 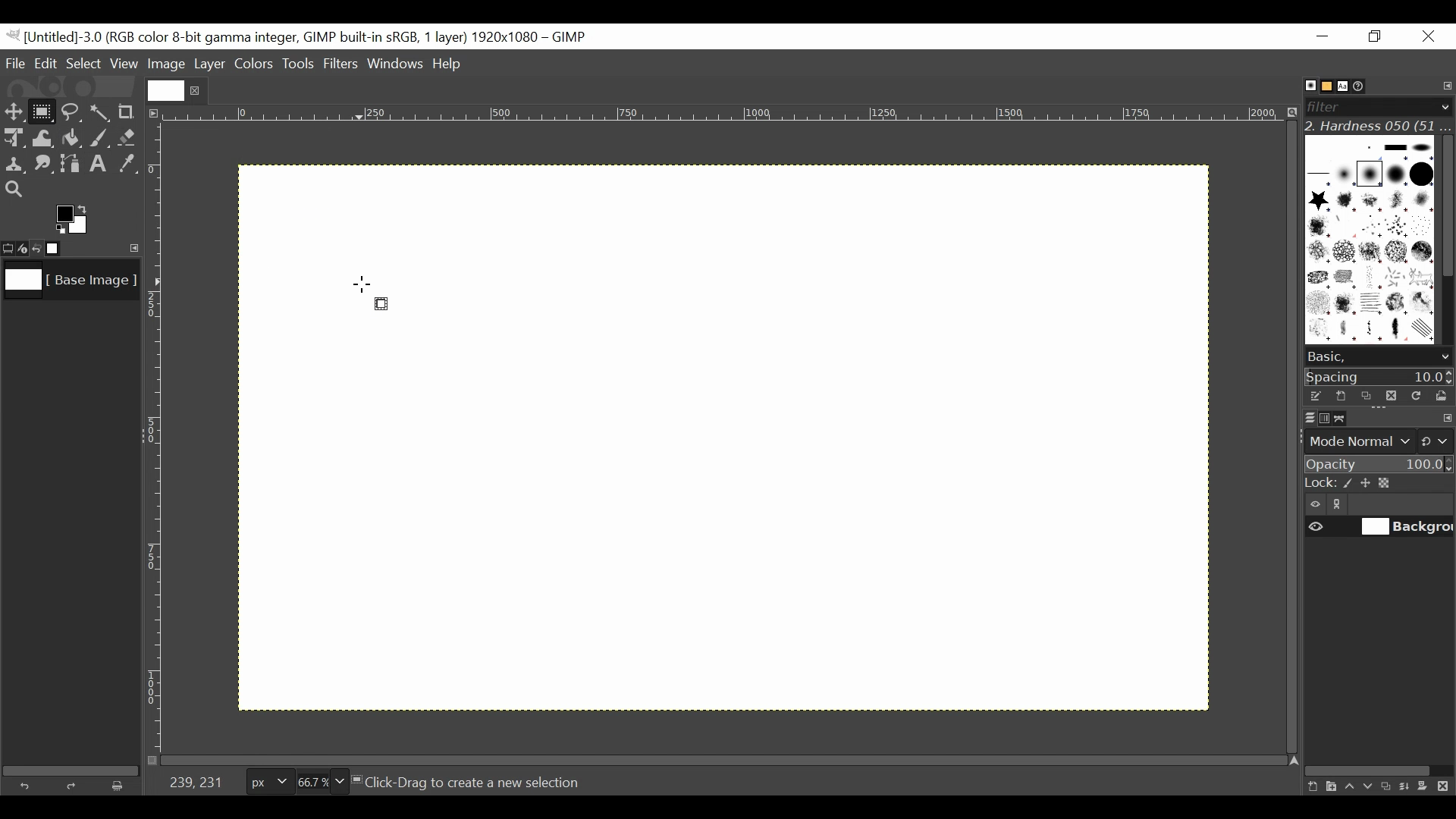 What do you see at coordinates (1445, 86) in the screenshot?
I see `Configure tab` at bounding box center [1445, 86].